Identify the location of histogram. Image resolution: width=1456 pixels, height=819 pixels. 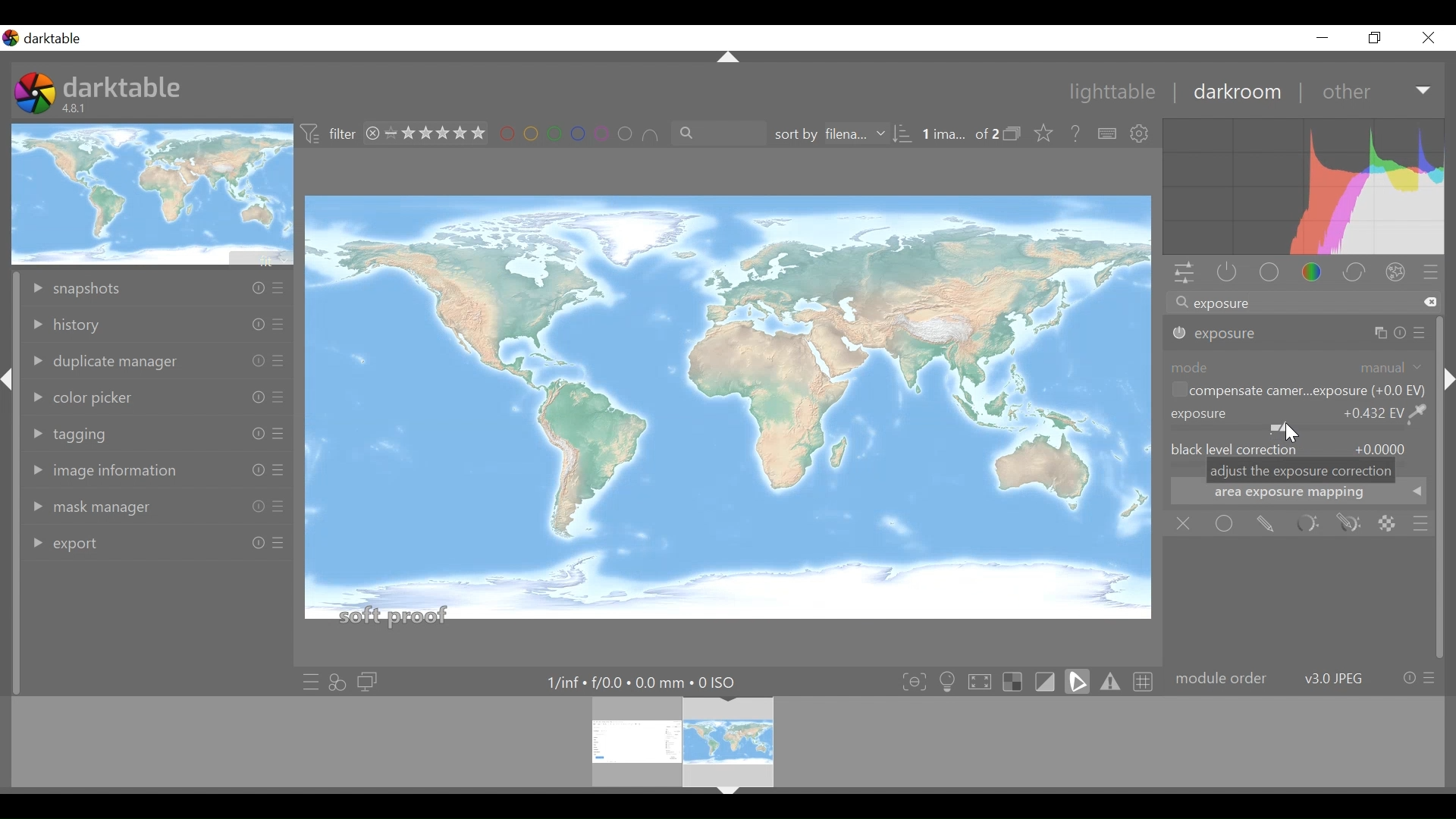
(1304, 189).